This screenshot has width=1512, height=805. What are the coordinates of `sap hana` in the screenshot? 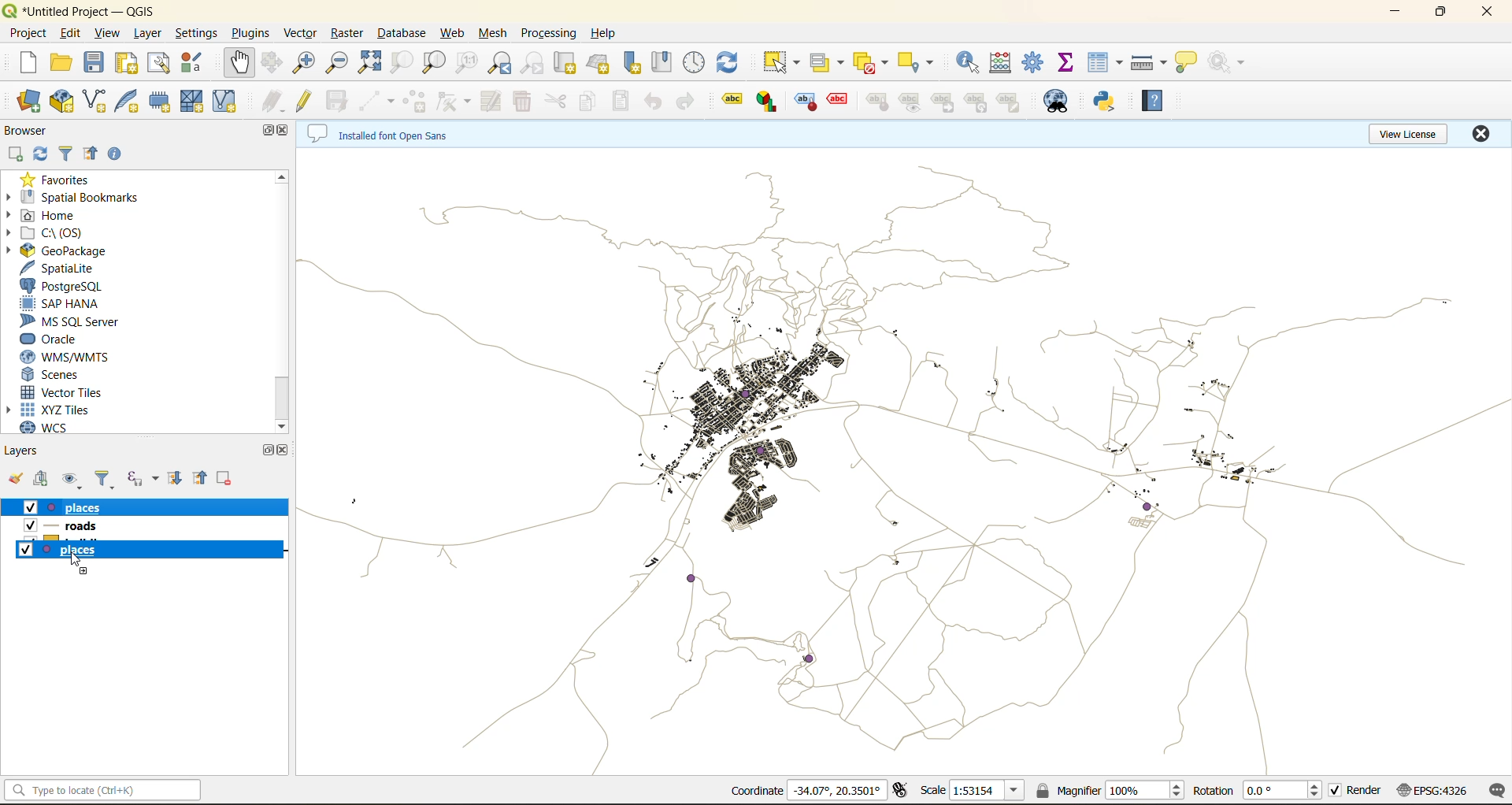 It's located at (72, 306).